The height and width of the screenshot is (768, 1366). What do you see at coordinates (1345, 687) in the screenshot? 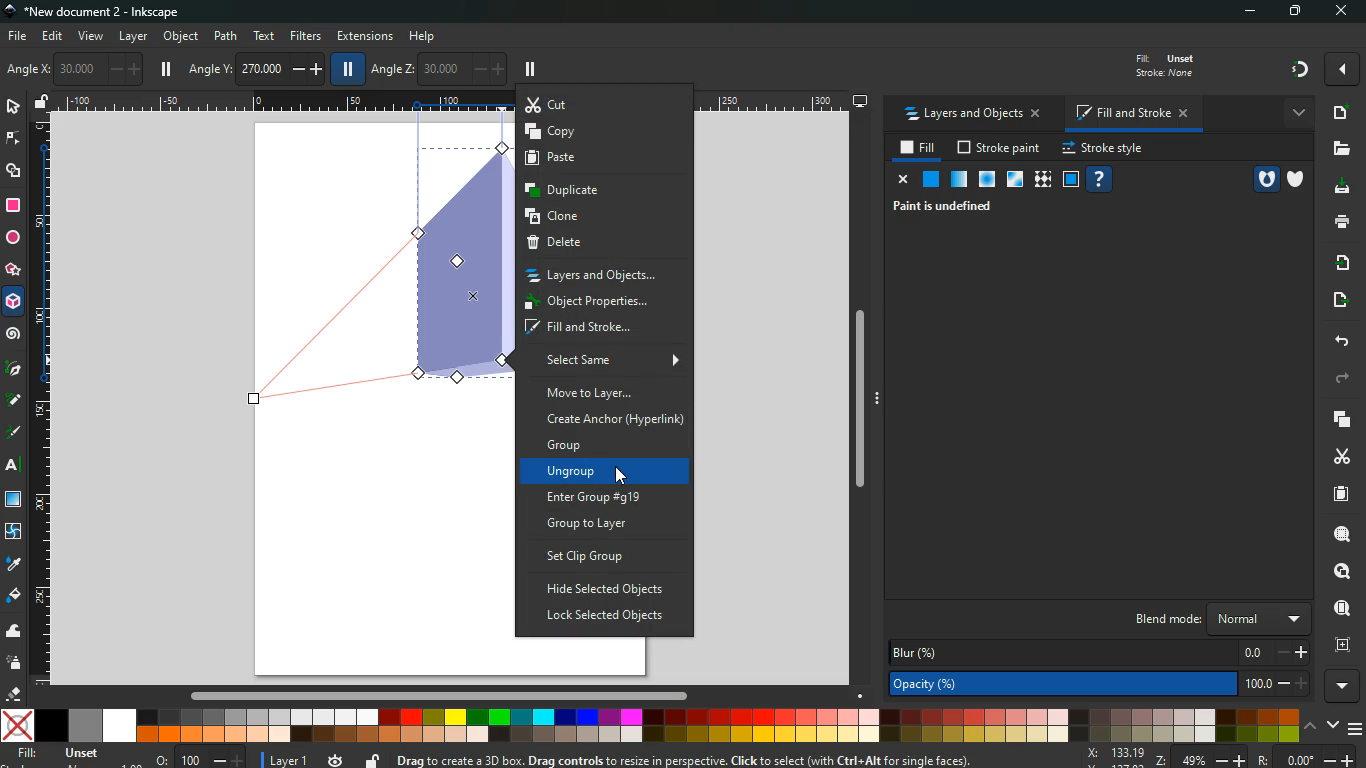
I see `more` at bounding box center [1345, 687].